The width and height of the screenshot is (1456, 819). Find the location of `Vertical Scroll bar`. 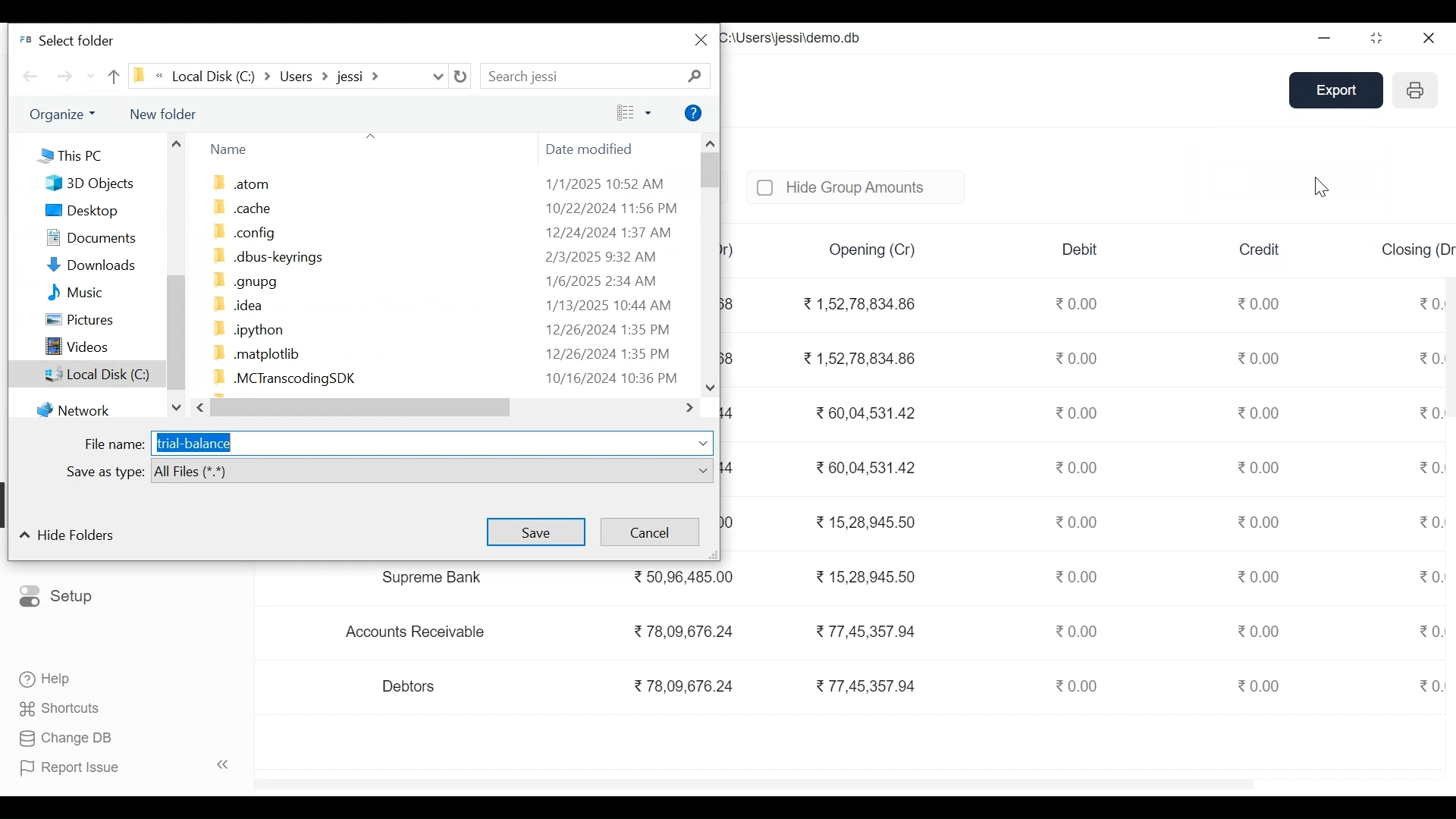

Vertical Scroll bar is located at coordinates (708, 171).